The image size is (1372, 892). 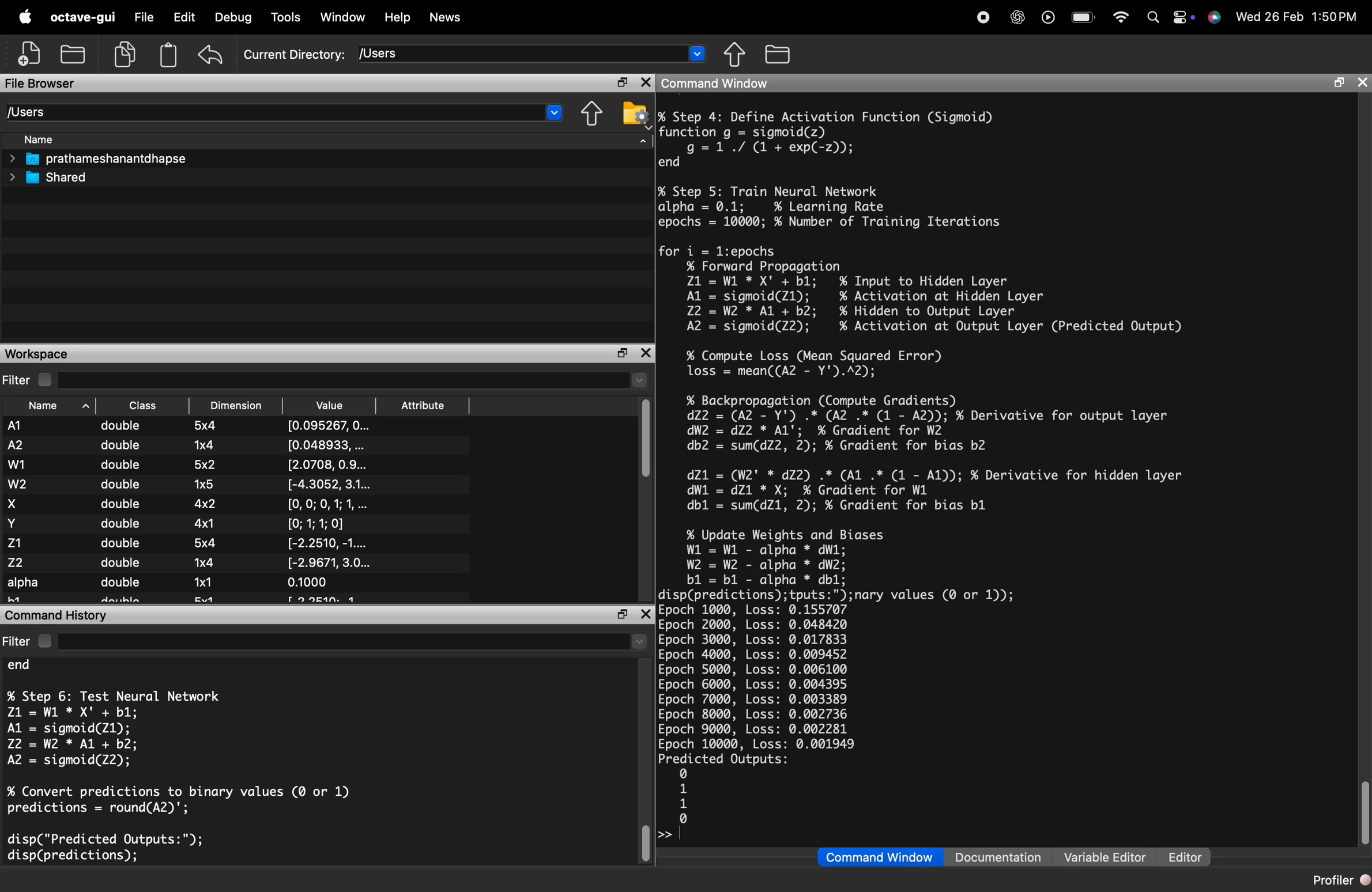 What do you see at coordinates (120, 464) in the screenshot?
I see `double` at bounding box center [120, 464].